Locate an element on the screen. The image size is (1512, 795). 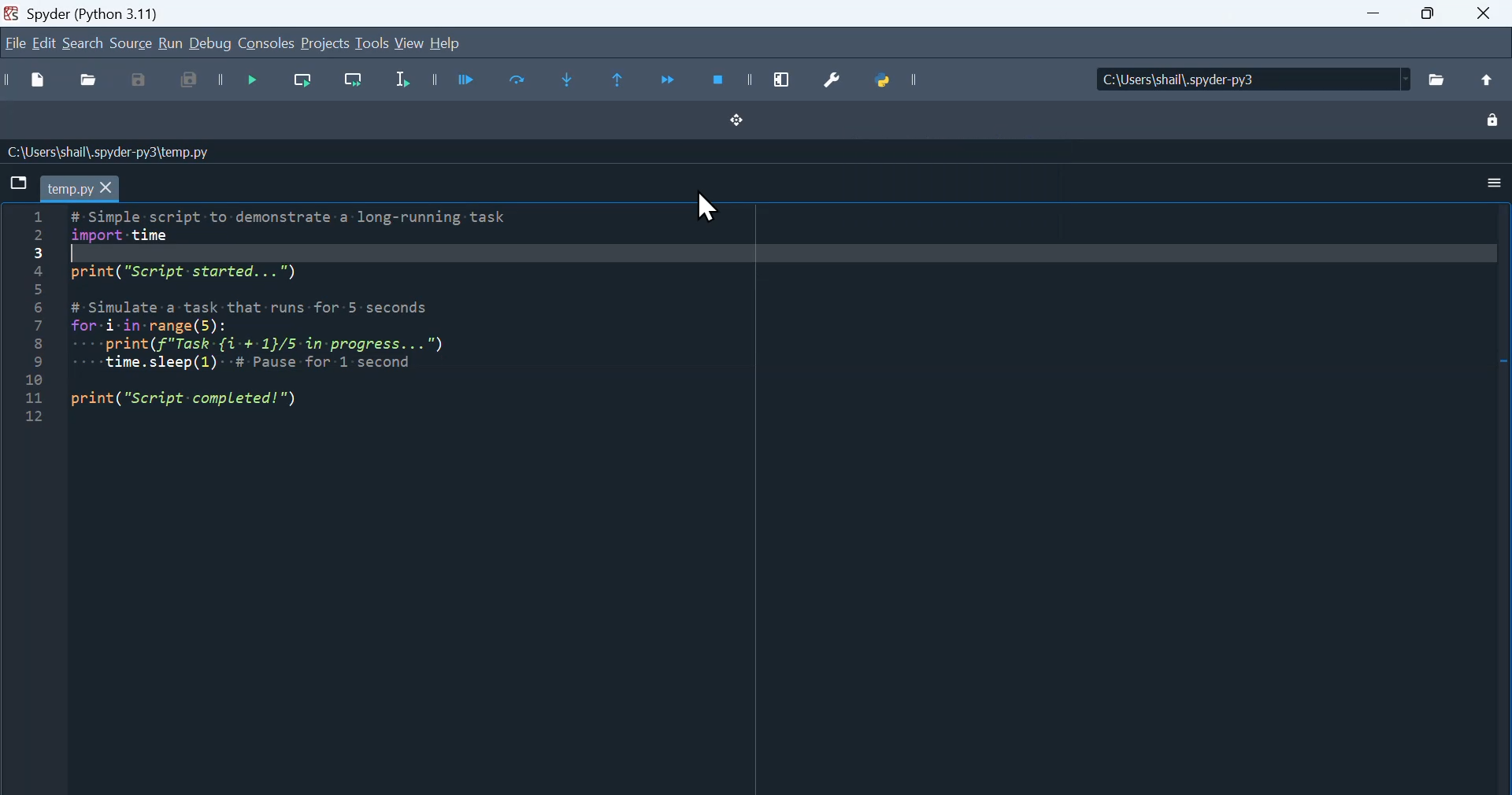
Python path manager is located at coordinates (898, 76).